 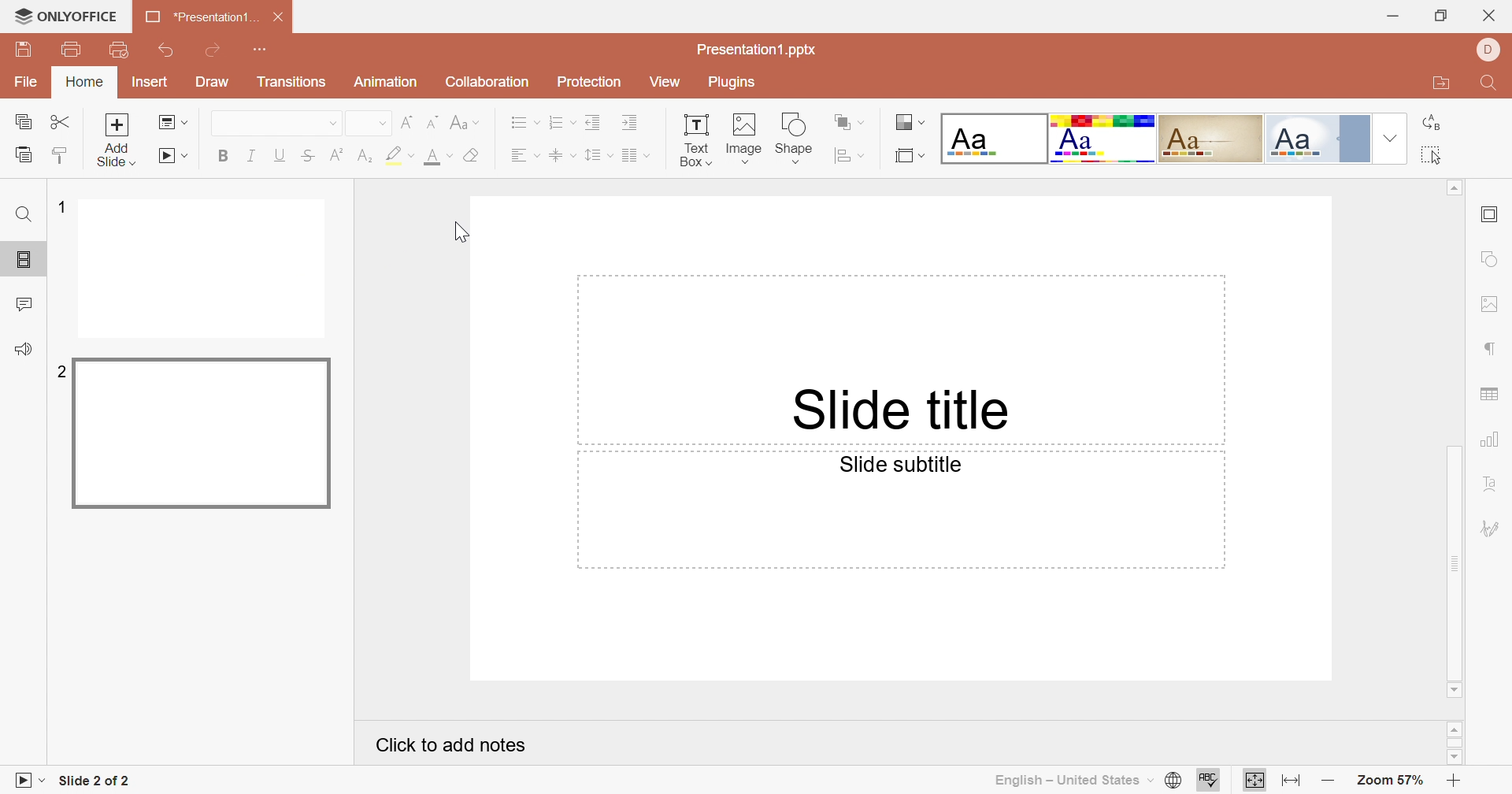 What do you see at coordinates (277, 154) in the screenshot?
I see `Underline` at bounding box center [277, 154].